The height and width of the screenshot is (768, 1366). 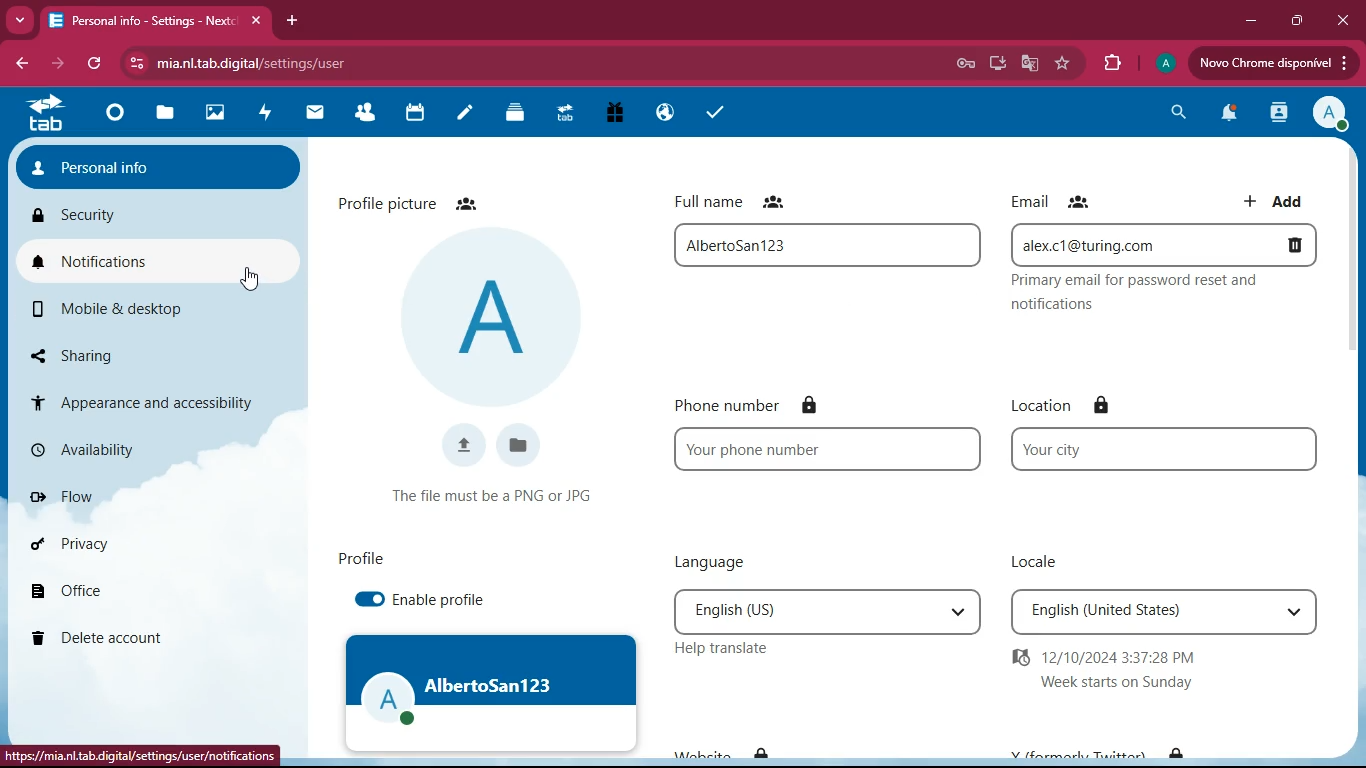 I want to click on sharing, so click(x=140, y=355).